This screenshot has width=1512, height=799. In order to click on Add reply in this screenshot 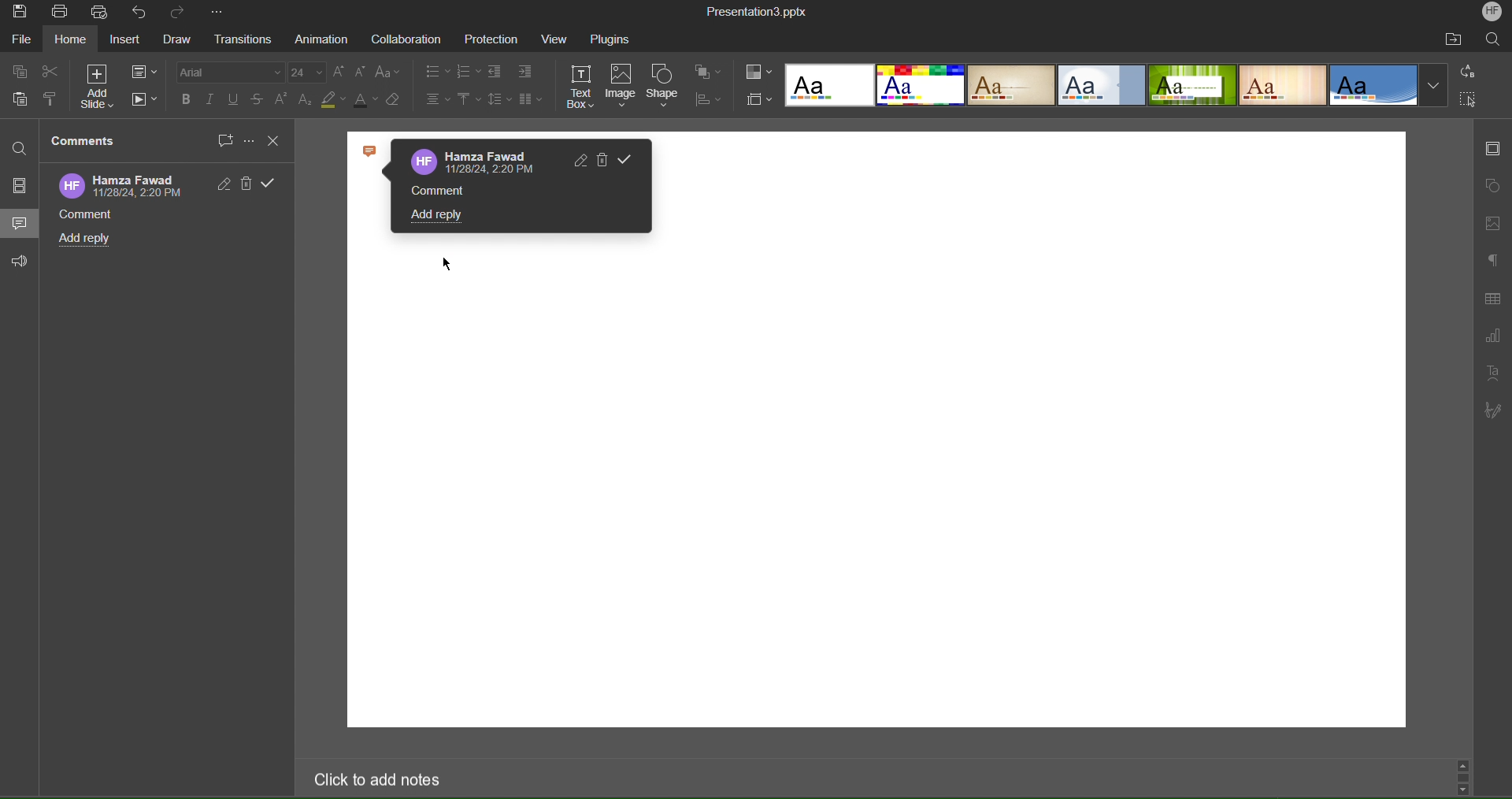, I will do `click(436, 217)`.